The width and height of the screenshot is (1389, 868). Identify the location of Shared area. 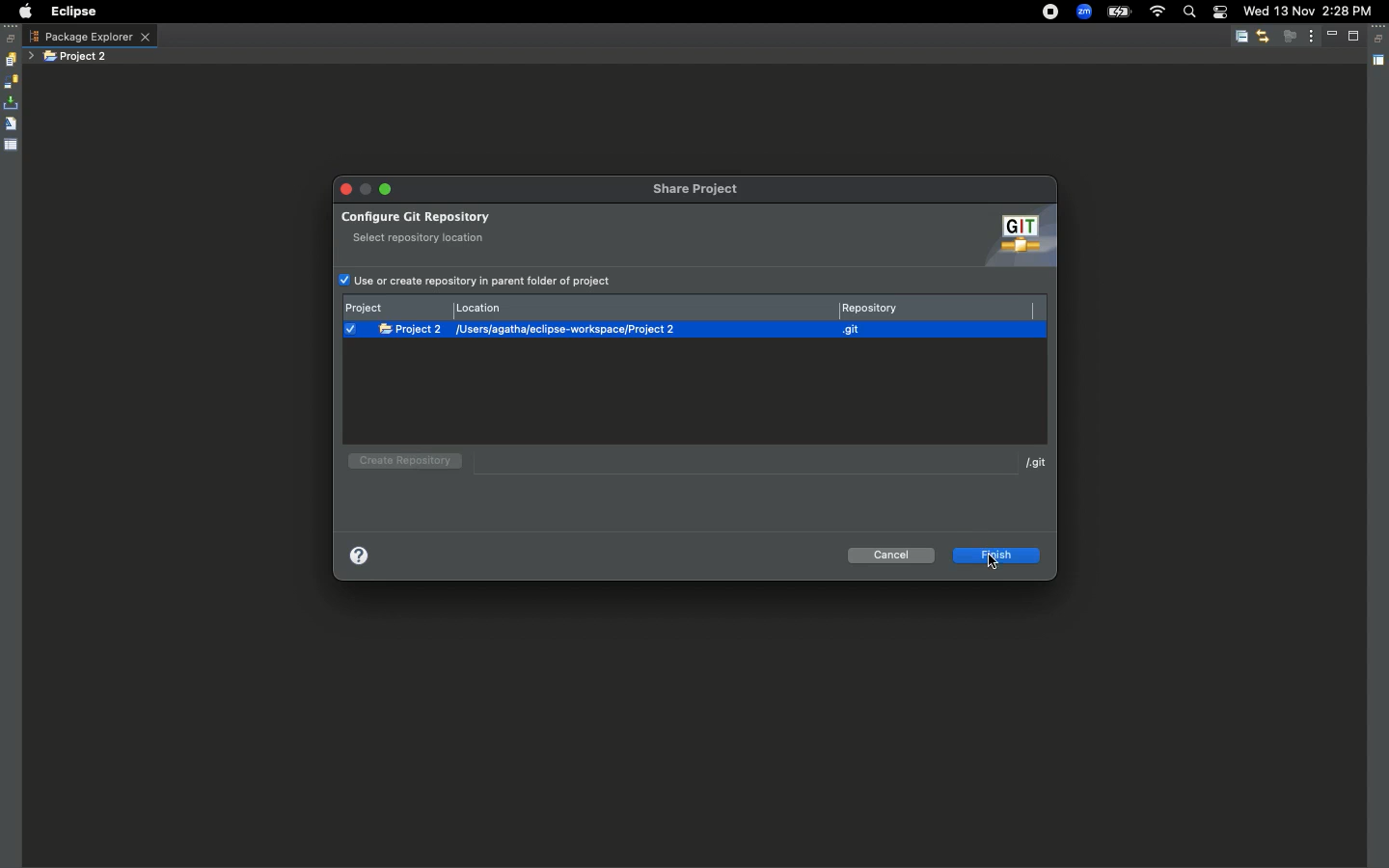
(1380, 64).